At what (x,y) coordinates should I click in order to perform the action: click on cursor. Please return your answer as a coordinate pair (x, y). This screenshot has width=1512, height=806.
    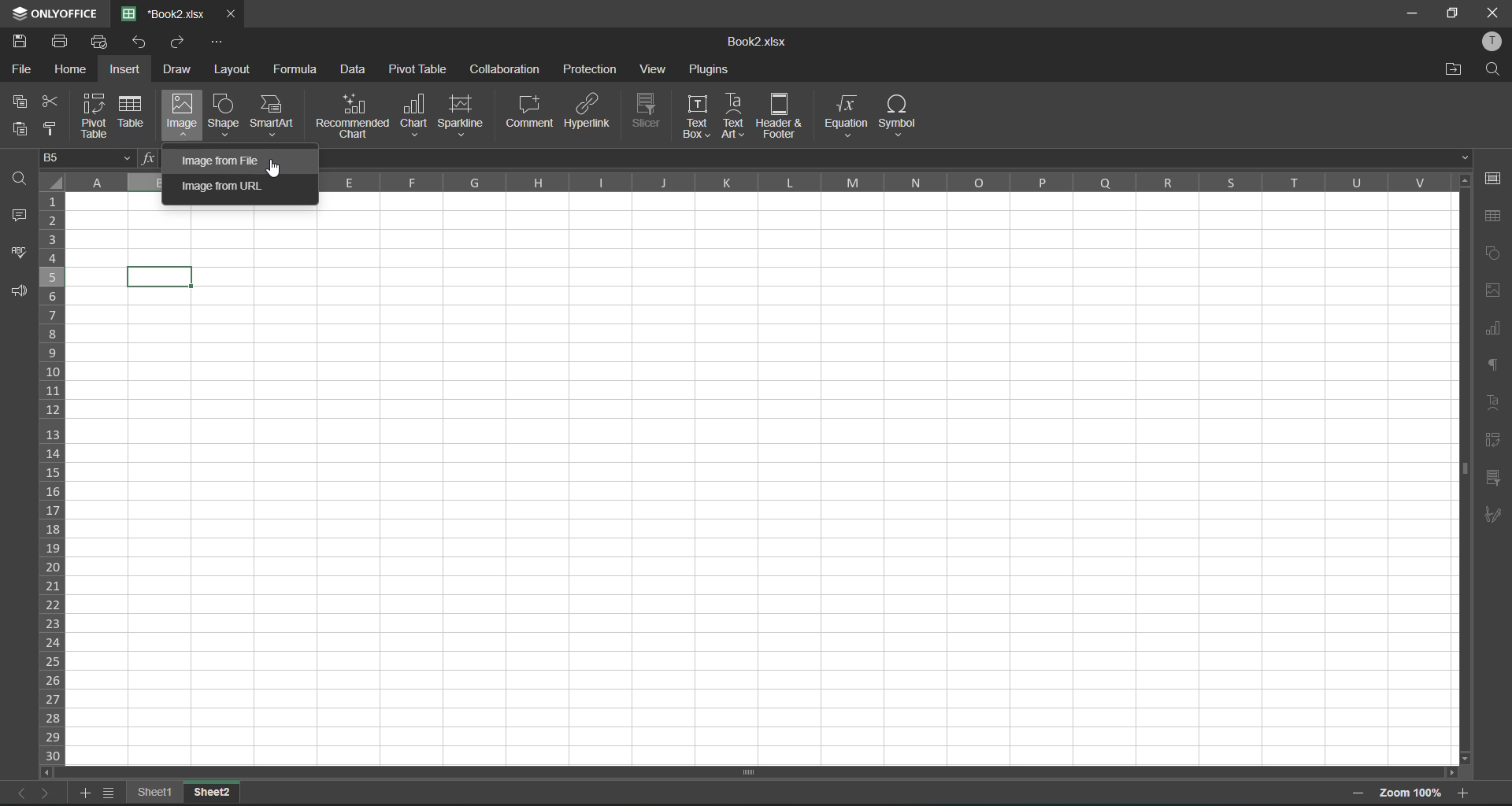
    Looking at the image, I should click on (277, 168).